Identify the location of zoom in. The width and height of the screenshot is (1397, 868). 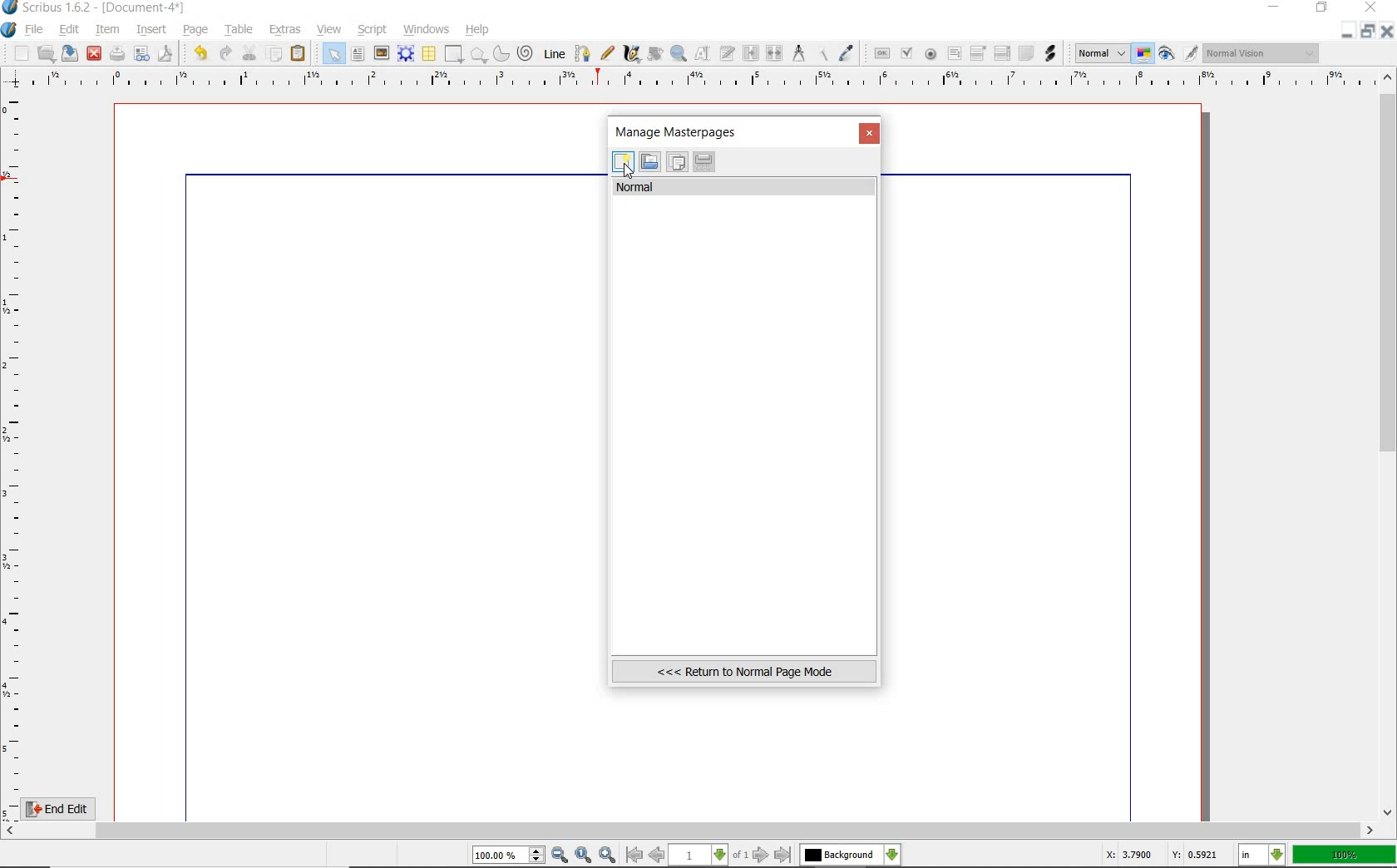
(607, 854).